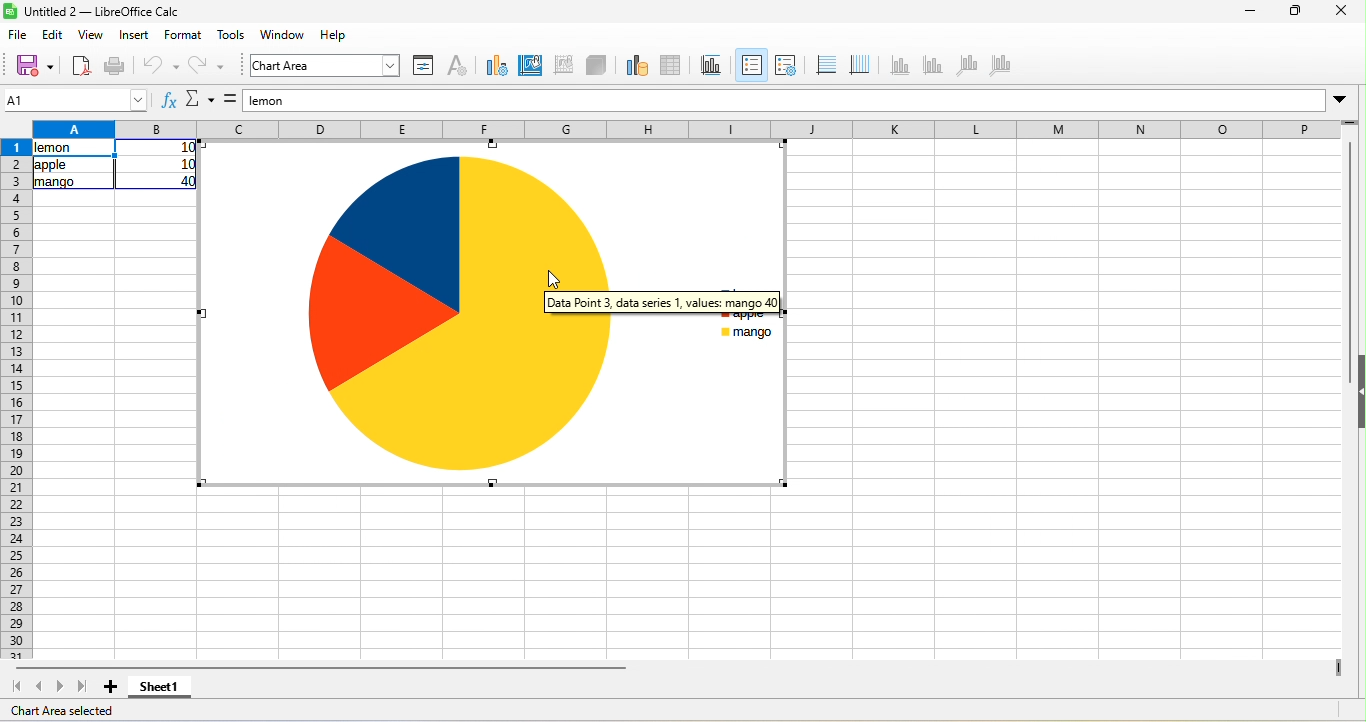  What do you see at coordinates (82, 65) in the screenshot?
I see `export directly as pdf` at bounding box center [82, 65].